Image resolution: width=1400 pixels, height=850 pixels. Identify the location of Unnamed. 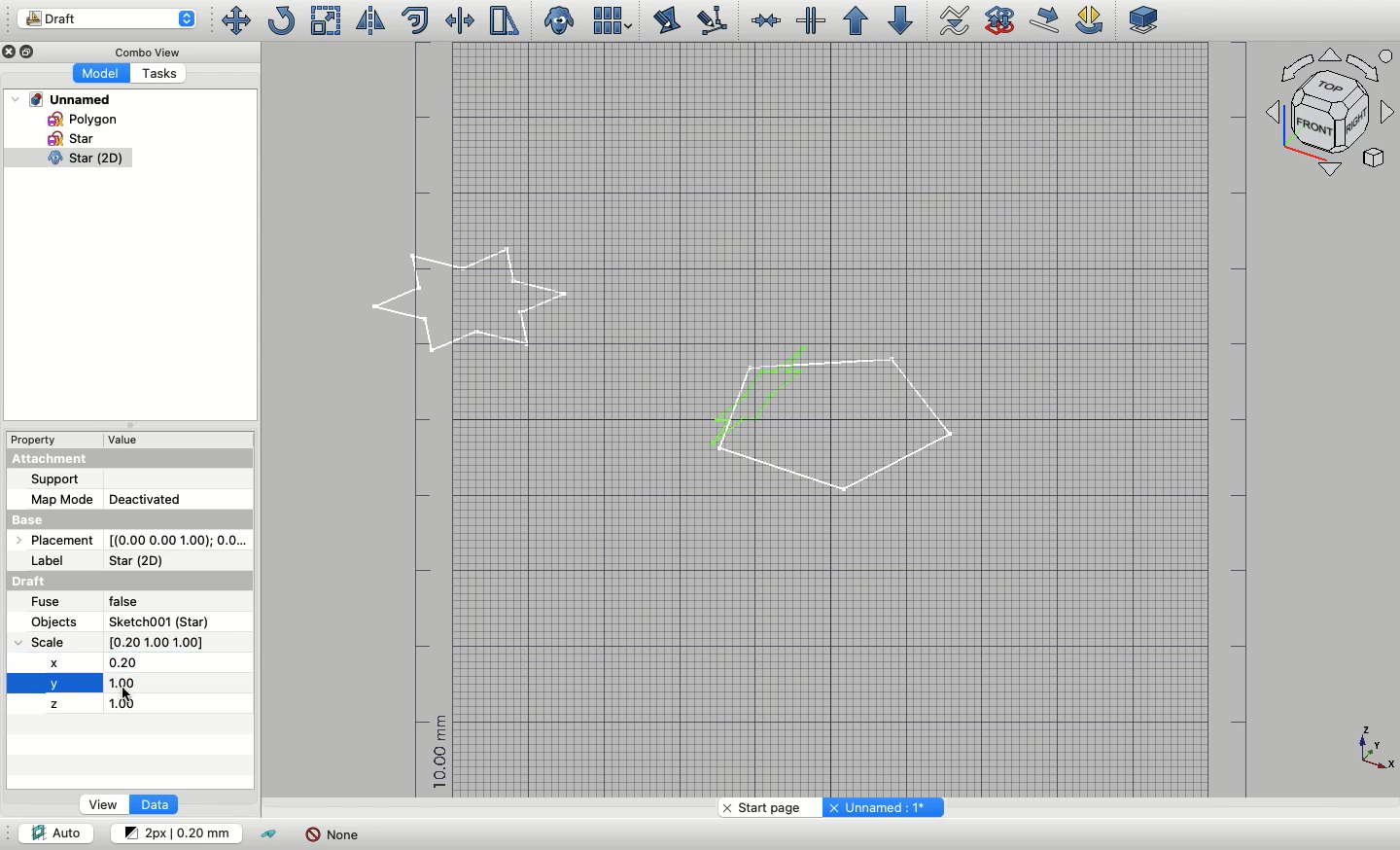
(62, 99).